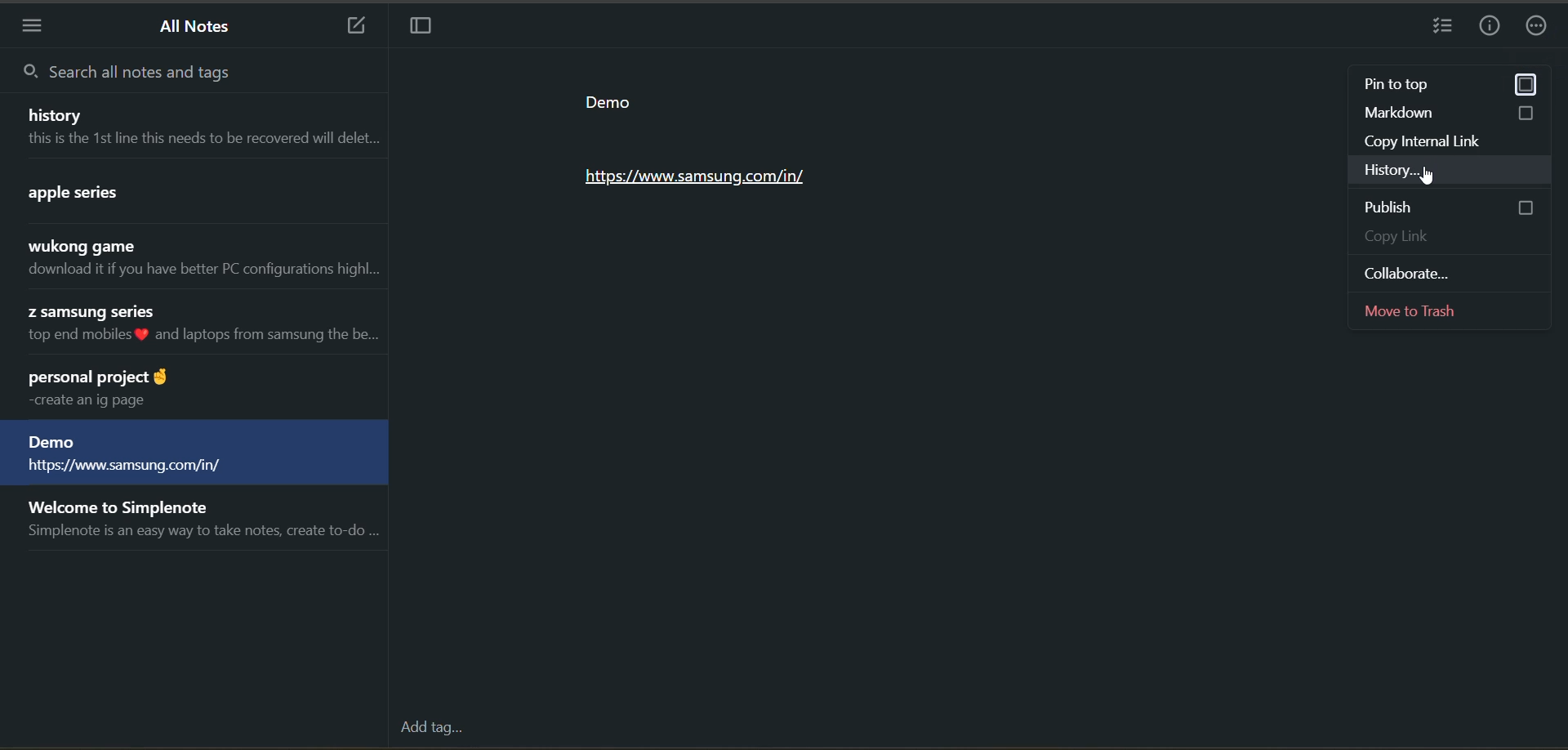 The width and height of the screenshot is (1568, 750). What do you see at coordinates (1451, 272) in the screenshot?
I see `collaborate` at bounding box center [1451, 272].